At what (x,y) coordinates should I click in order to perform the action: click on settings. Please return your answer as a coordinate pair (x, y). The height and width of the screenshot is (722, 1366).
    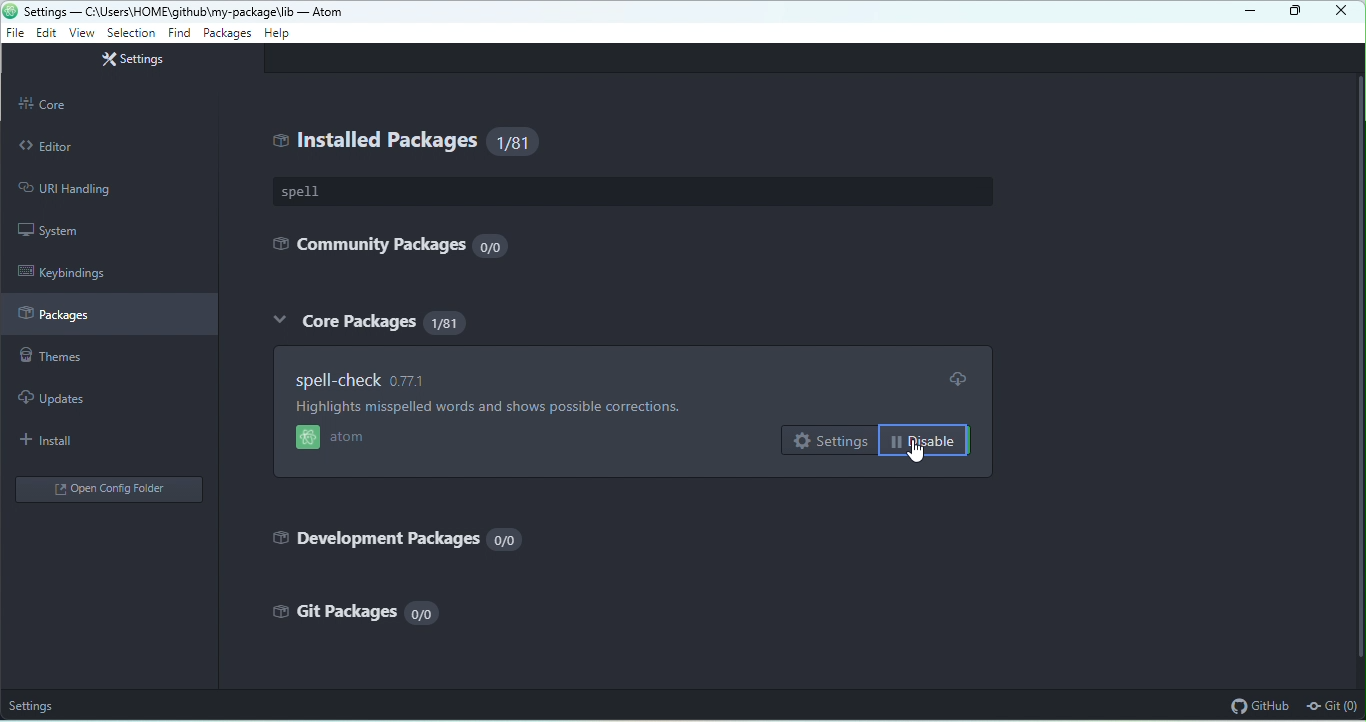
    Looking at the image, I should click on (35, 705).